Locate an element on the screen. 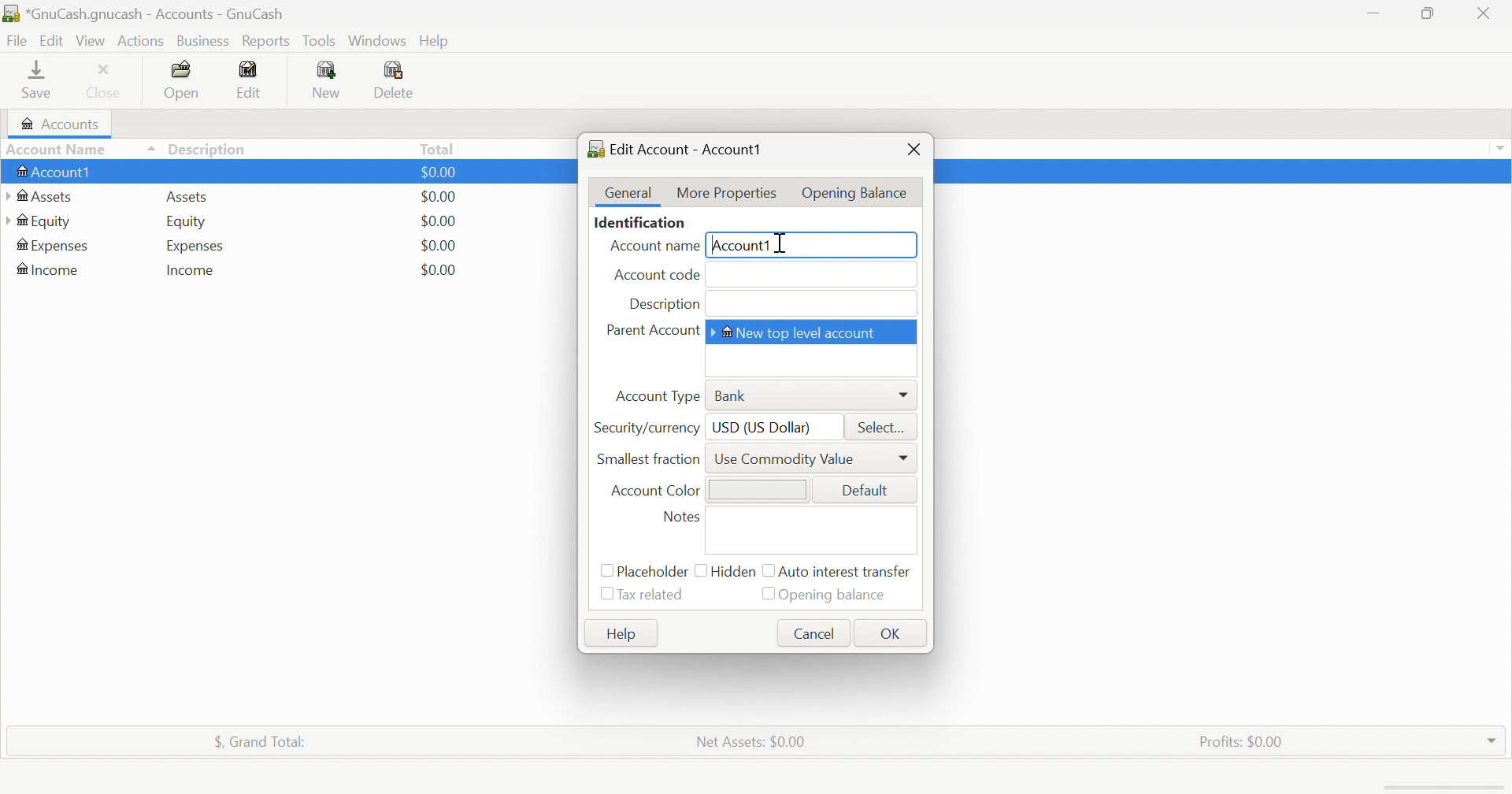 The height and width of the screenshot is (794, 1512). Bank is located at coordinates (733, 396).